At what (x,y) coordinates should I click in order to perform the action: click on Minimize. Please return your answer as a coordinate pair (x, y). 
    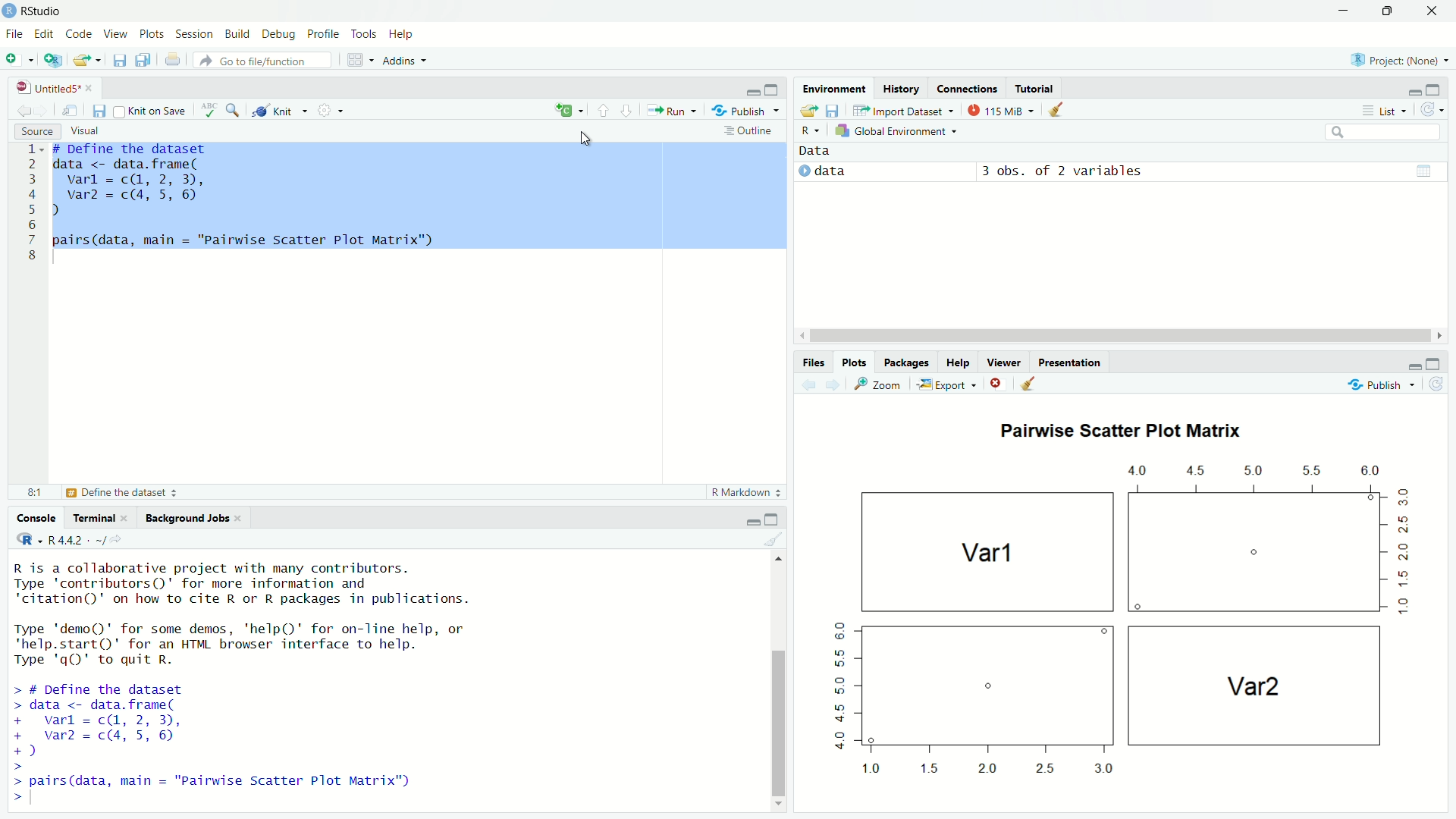
    Looking at the image, I should click on (752, 521).